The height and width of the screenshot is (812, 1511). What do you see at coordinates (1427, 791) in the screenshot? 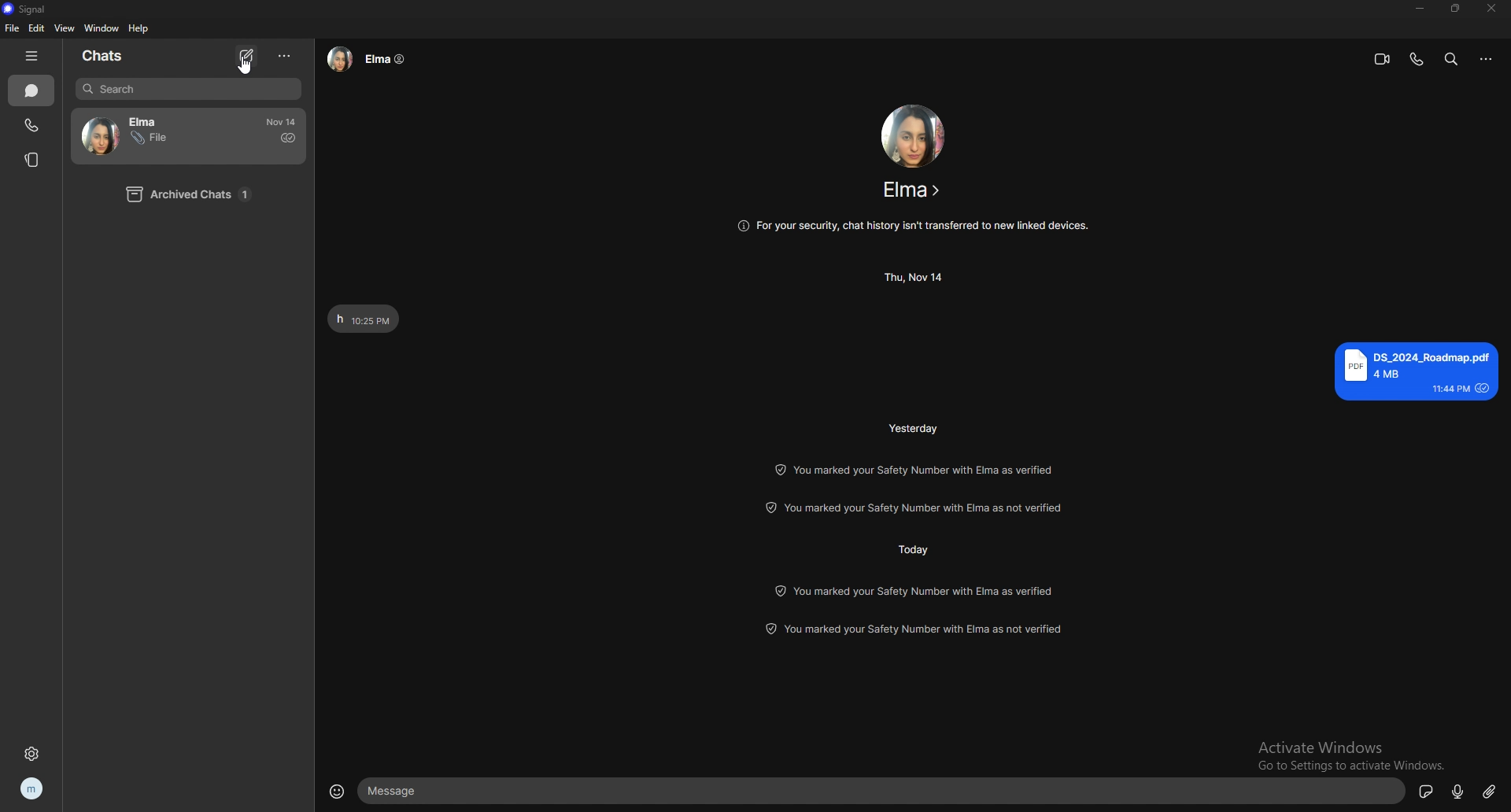
I see `sticker` at bounding box center [1427, 791].